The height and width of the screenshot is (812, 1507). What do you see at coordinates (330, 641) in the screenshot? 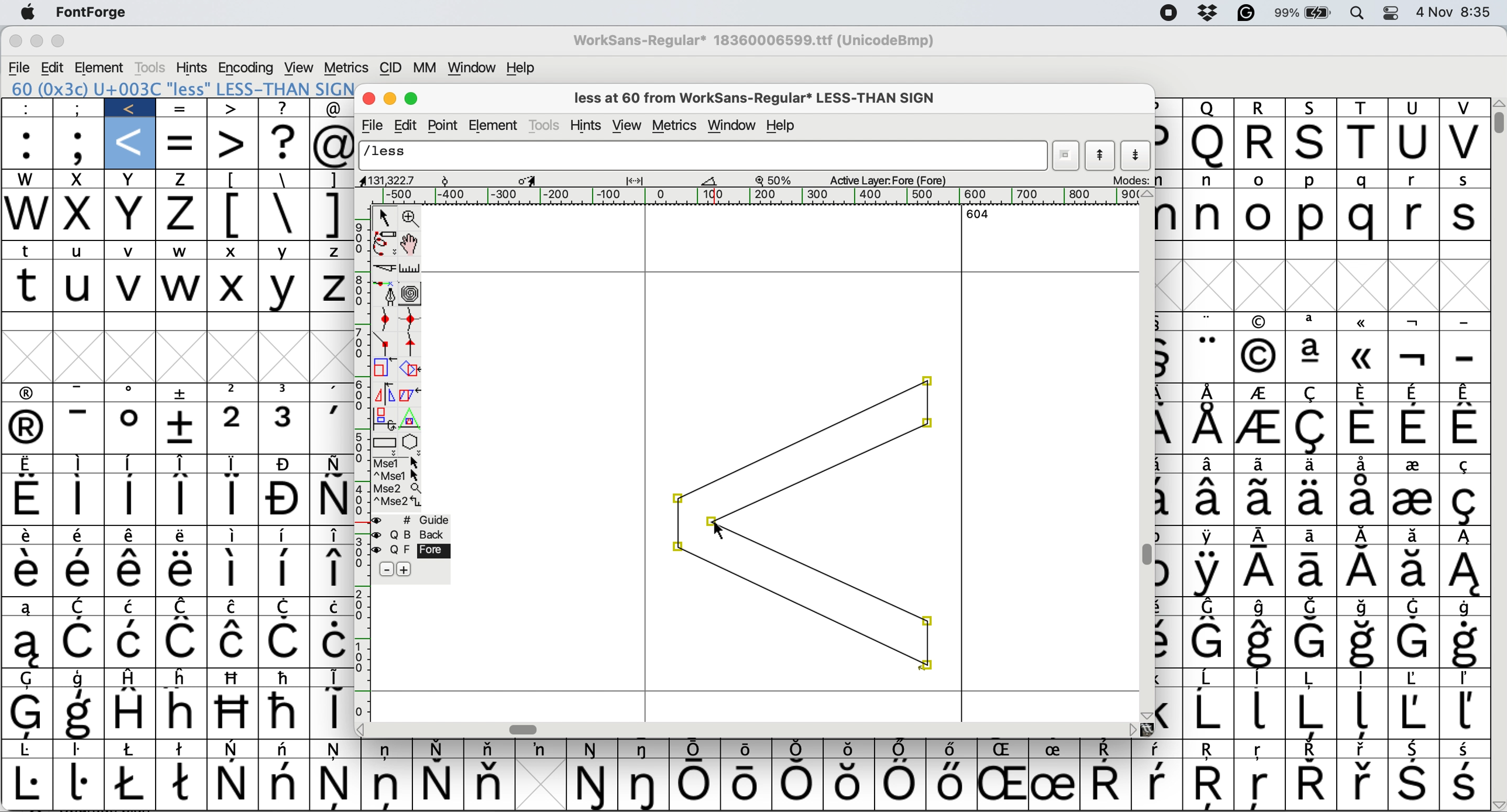
I see `Symbol` at bounding box center [330, 641].